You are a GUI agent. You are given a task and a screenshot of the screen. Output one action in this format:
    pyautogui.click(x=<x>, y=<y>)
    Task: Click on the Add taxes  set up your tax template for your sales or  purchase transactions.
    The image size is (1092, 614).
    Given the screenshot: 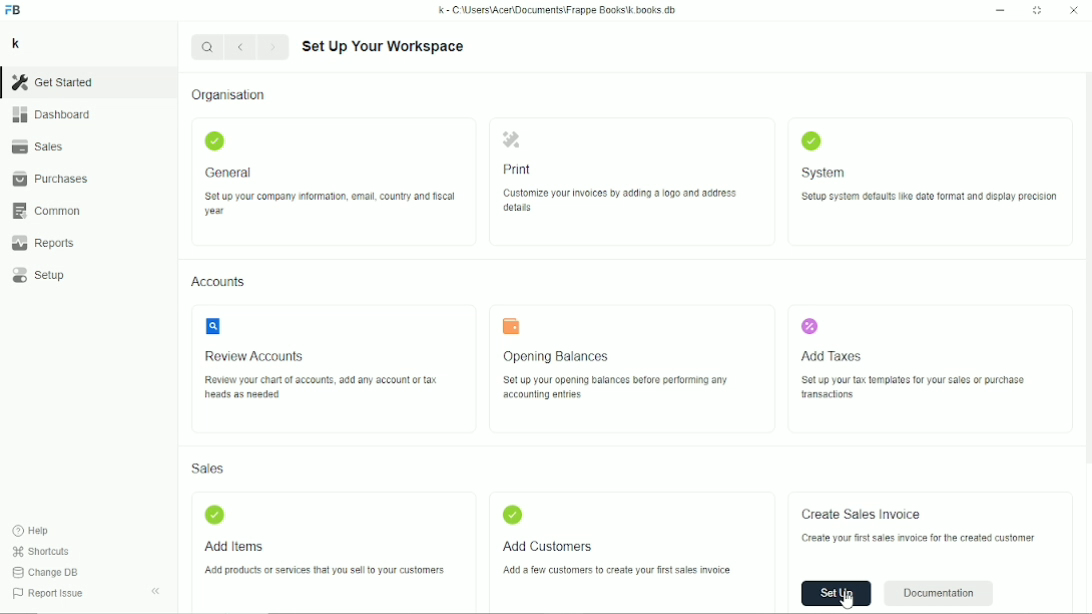 What is the action you would take?
    pyautogui.click(x=910, y=360)
    